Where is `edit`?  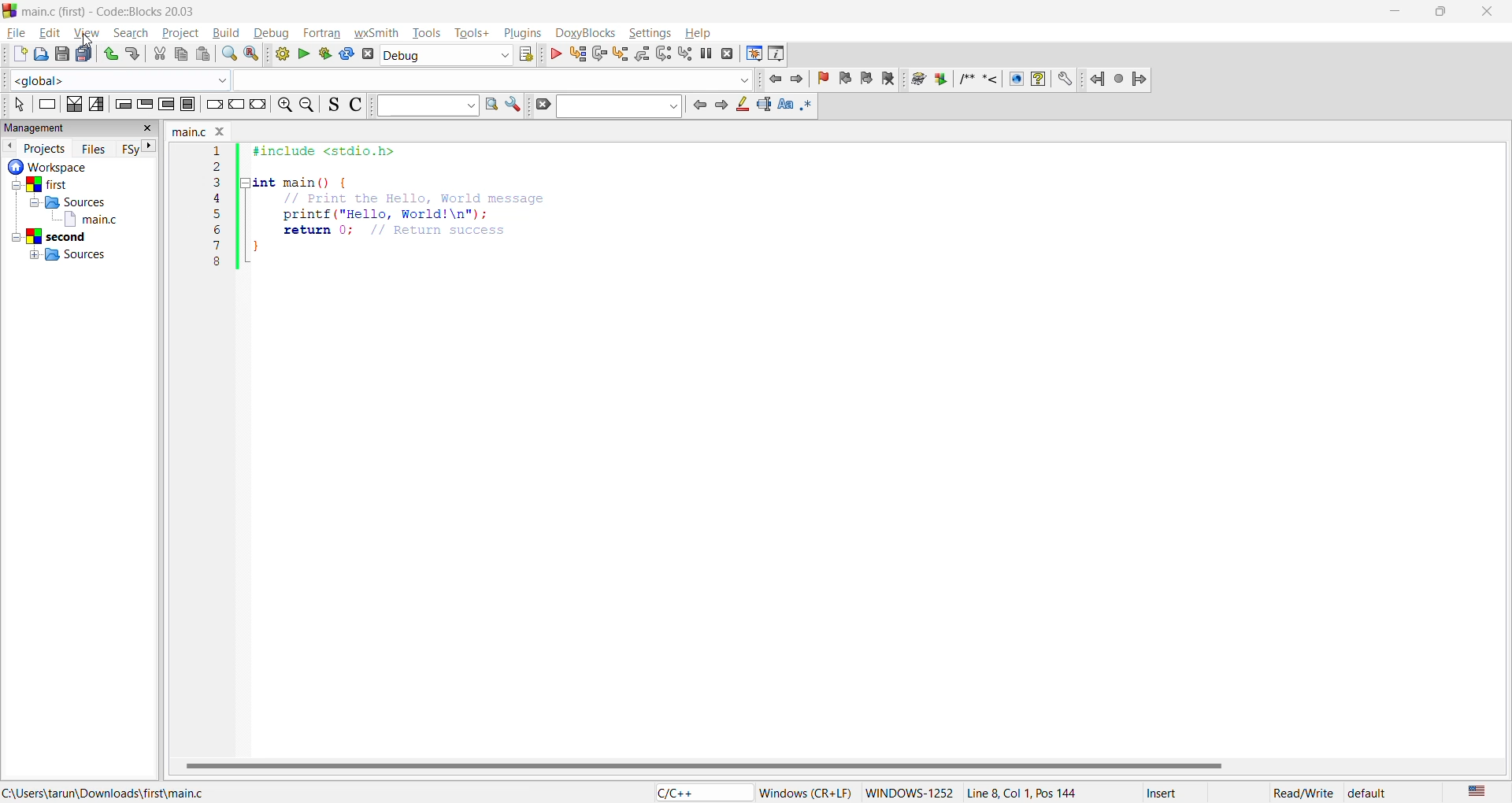 edit is located at coordinates (50, 33).